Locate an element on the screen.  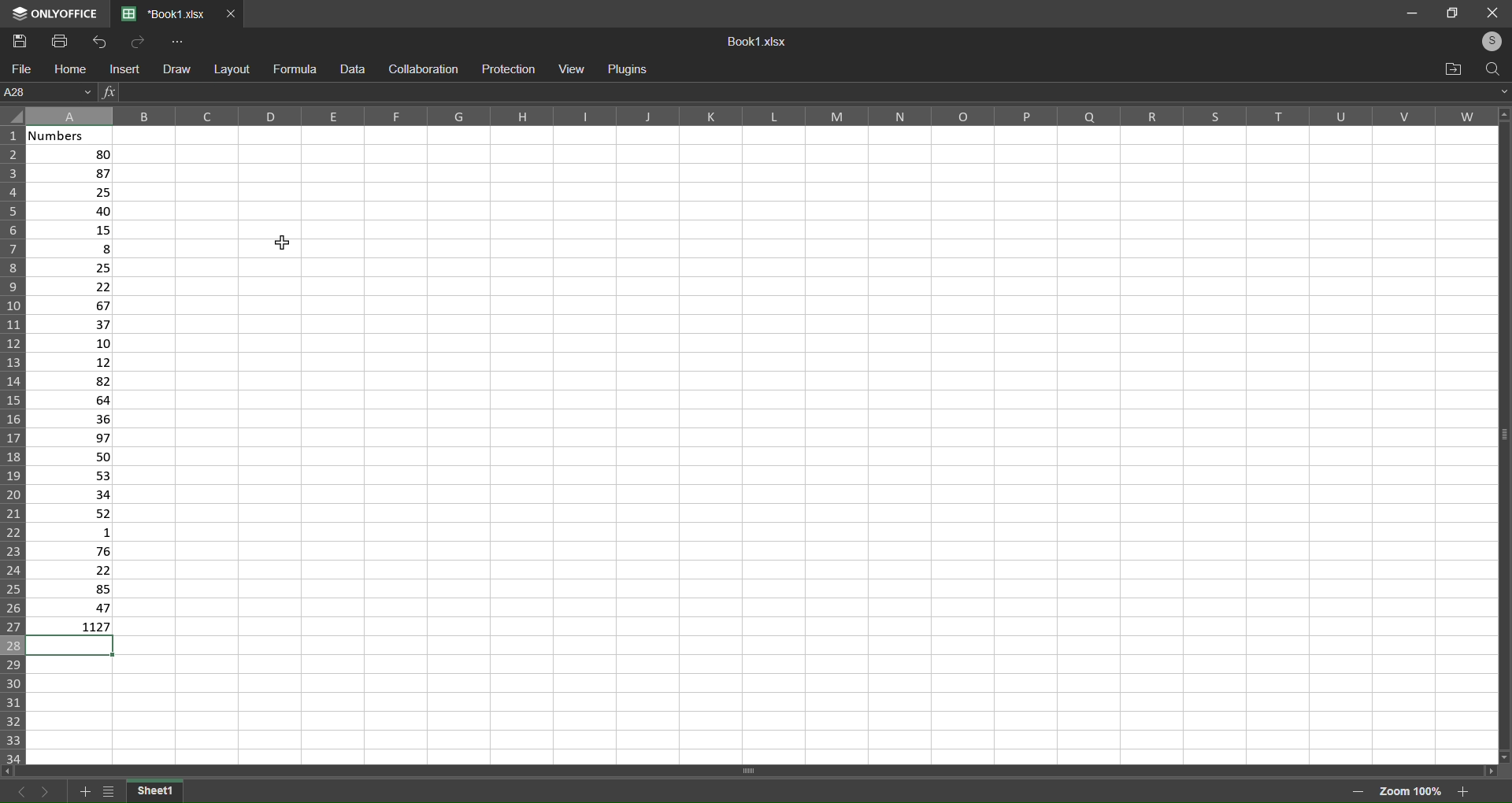
1127 is located at coordinates (72, 625).